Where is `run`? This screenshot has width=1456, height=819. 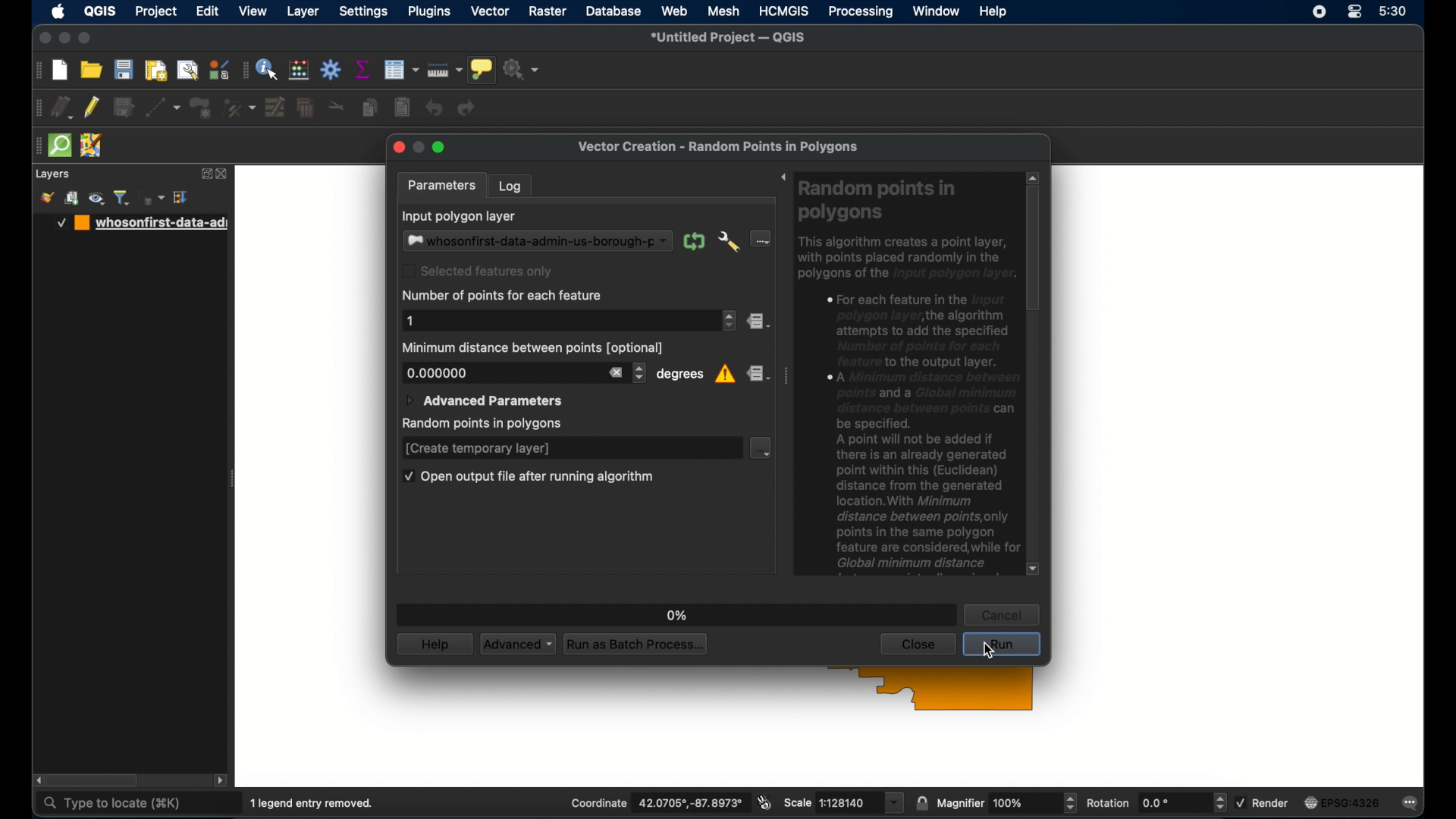
run is located at coordinates (1003, 645).